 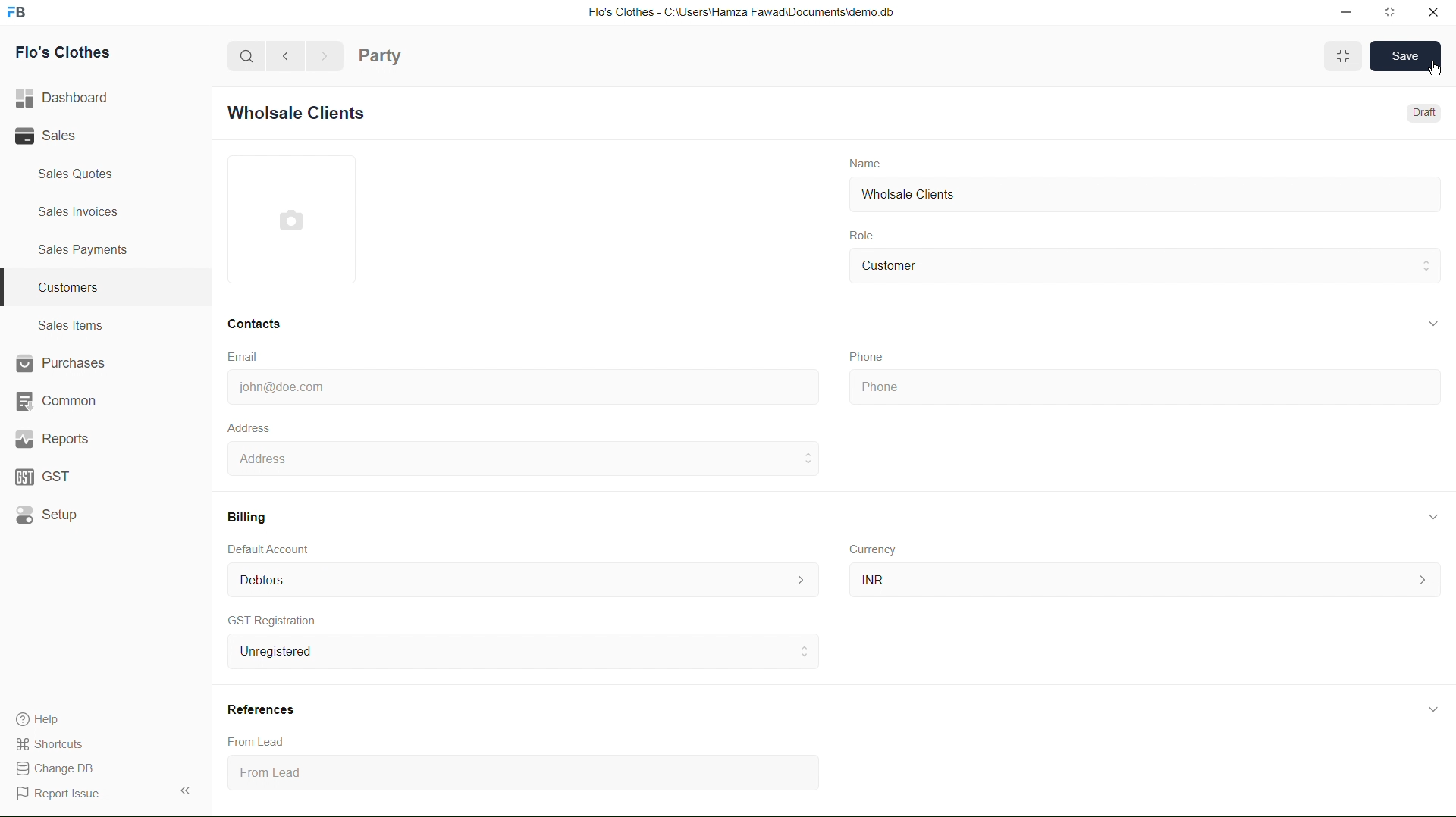 What do you see at coordinates (868, 161) in the screenshot?
I see `Name` at bounding box center [868, 161].